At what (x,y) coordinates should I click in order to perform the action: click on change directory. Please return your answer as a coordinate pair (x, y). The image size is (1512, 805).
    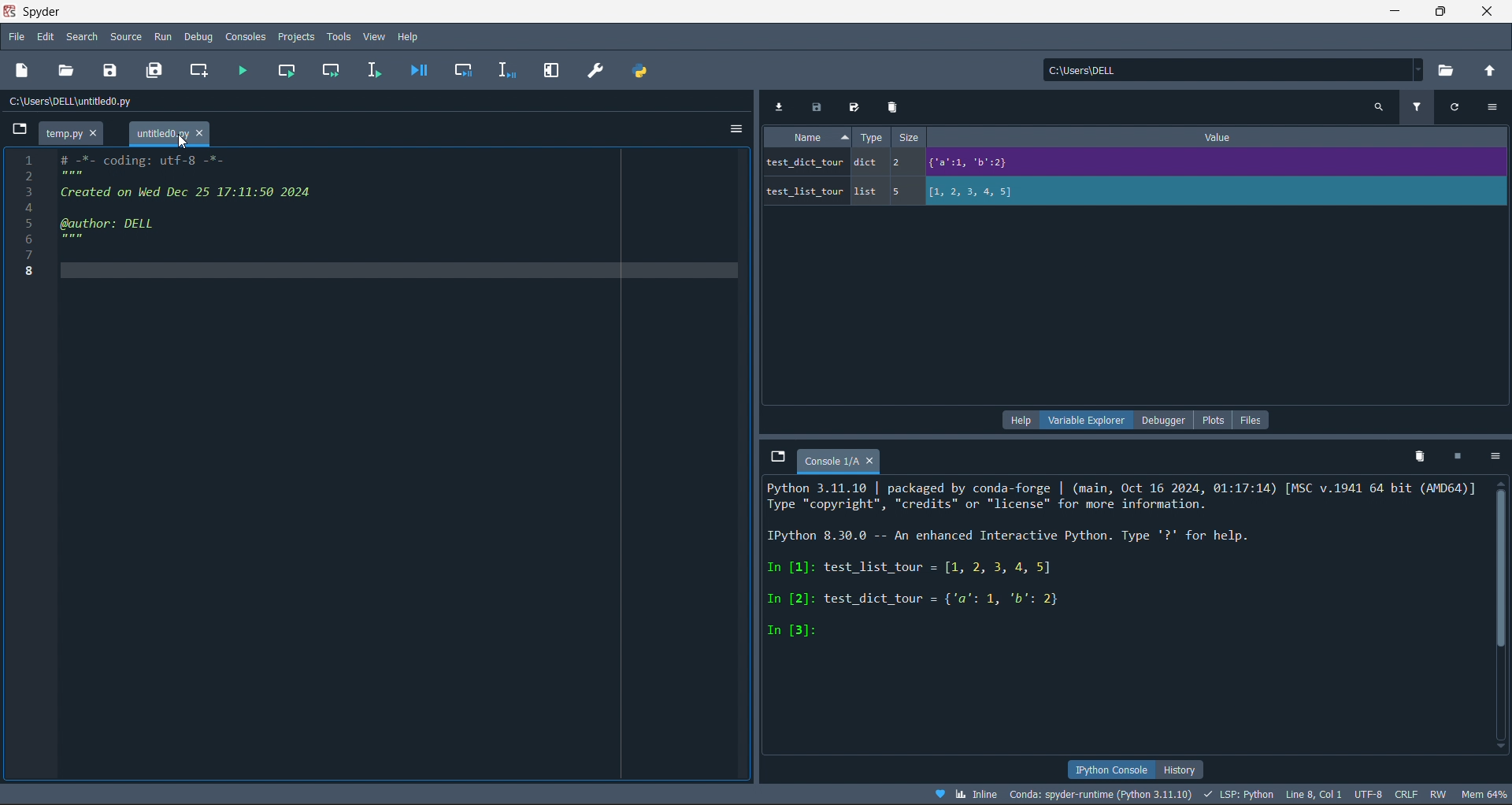
    Looking at the image, I should click on (1488, 72).